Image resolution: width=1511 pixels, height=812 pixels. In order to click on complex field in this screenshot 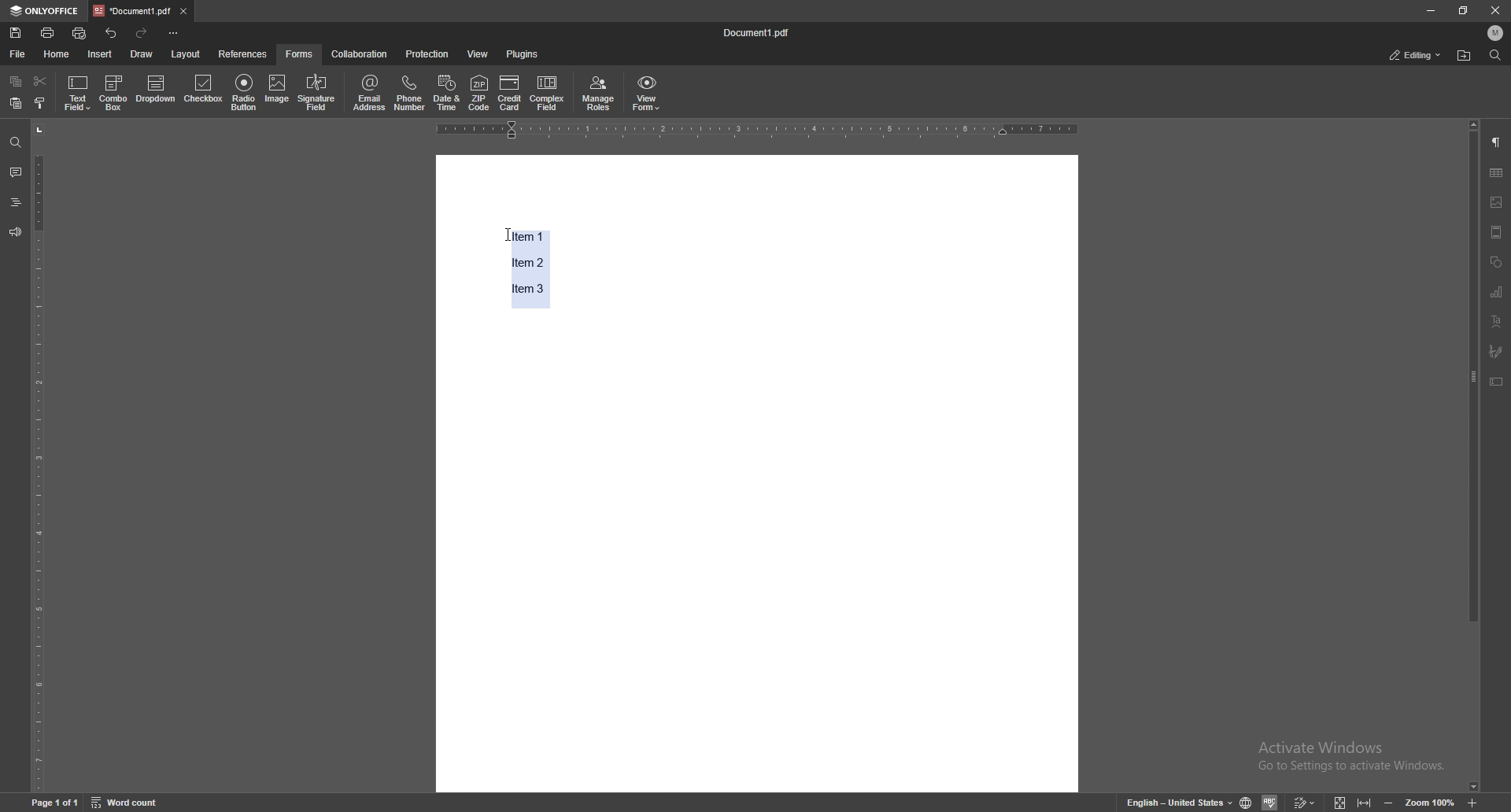, I will do `click(548, 94)`.